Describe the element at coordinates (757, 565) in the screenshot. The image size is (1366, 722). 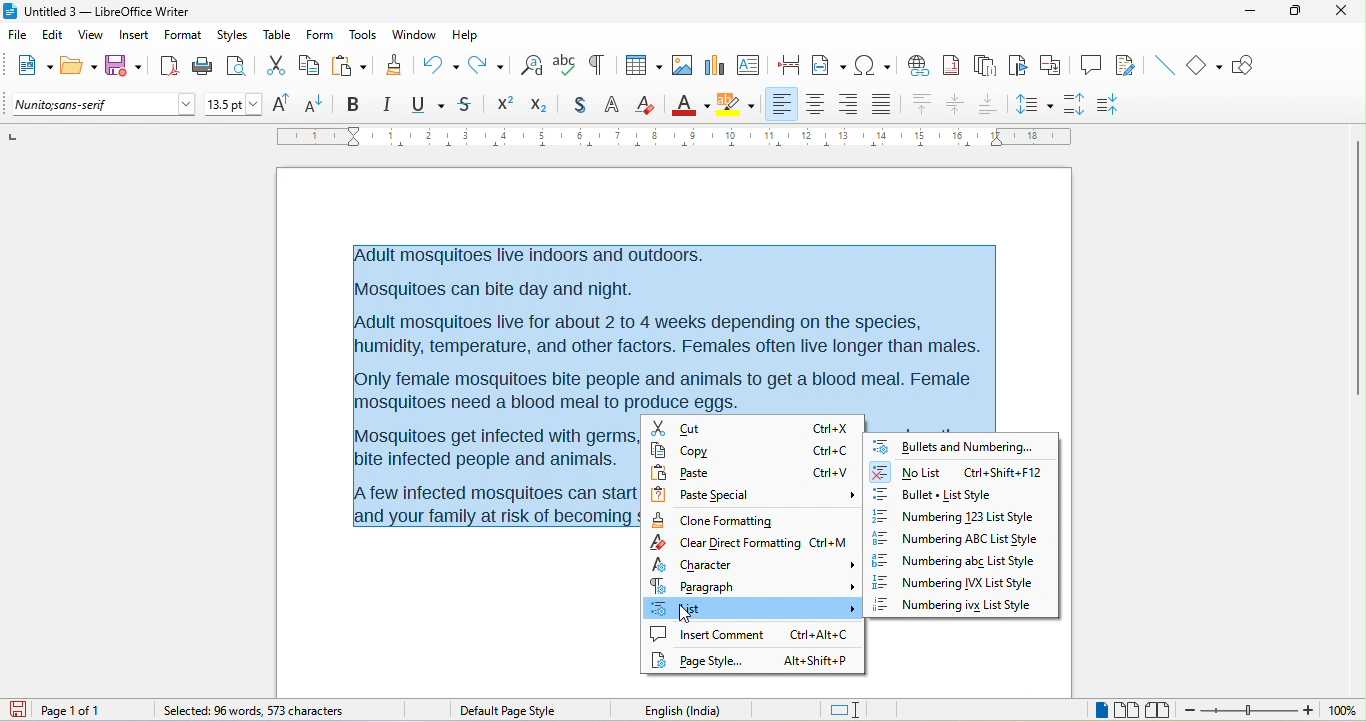
I see `character` at that location.